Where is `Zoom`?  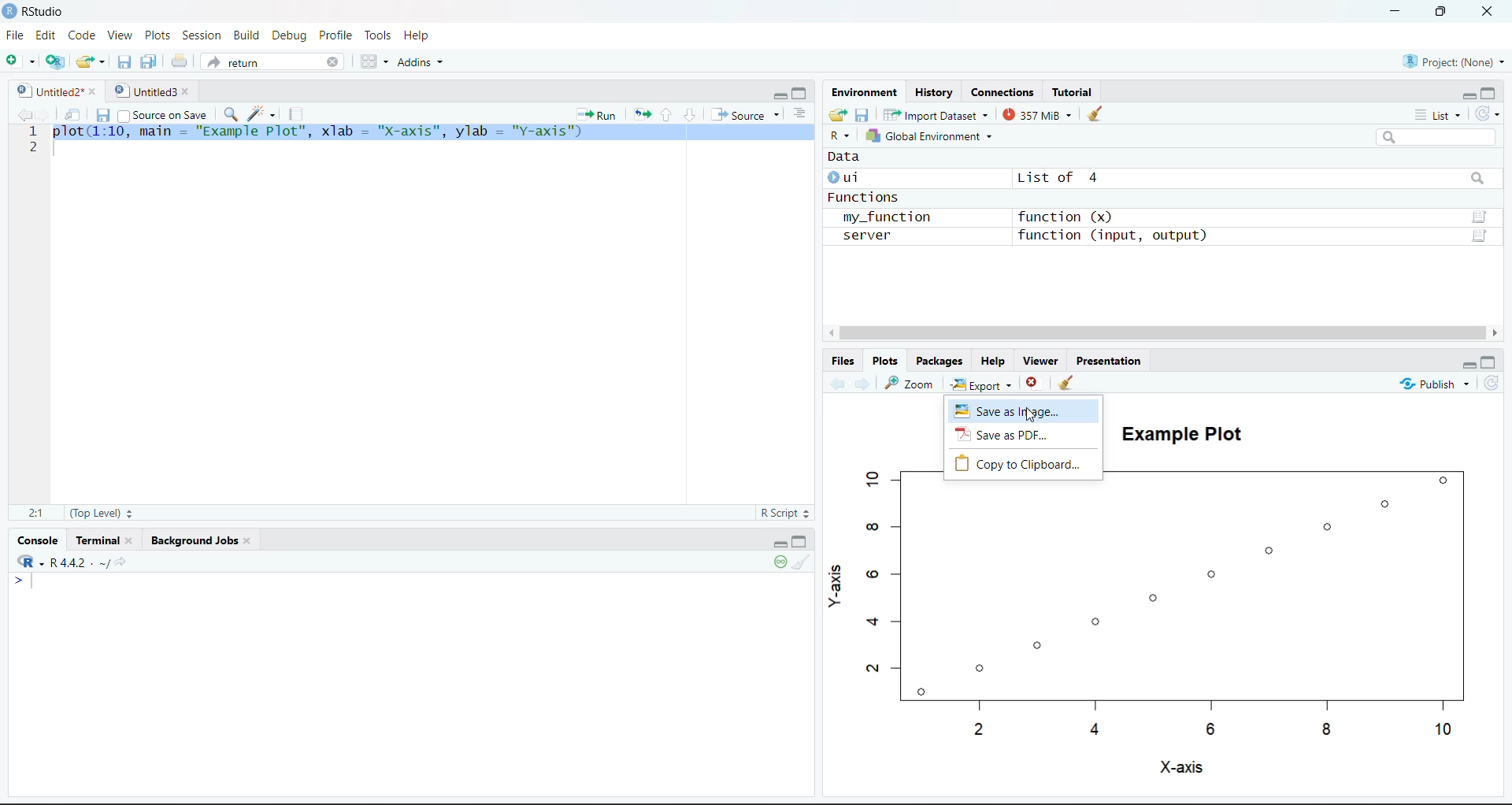
Zoom is located at coordinates (910, 382).